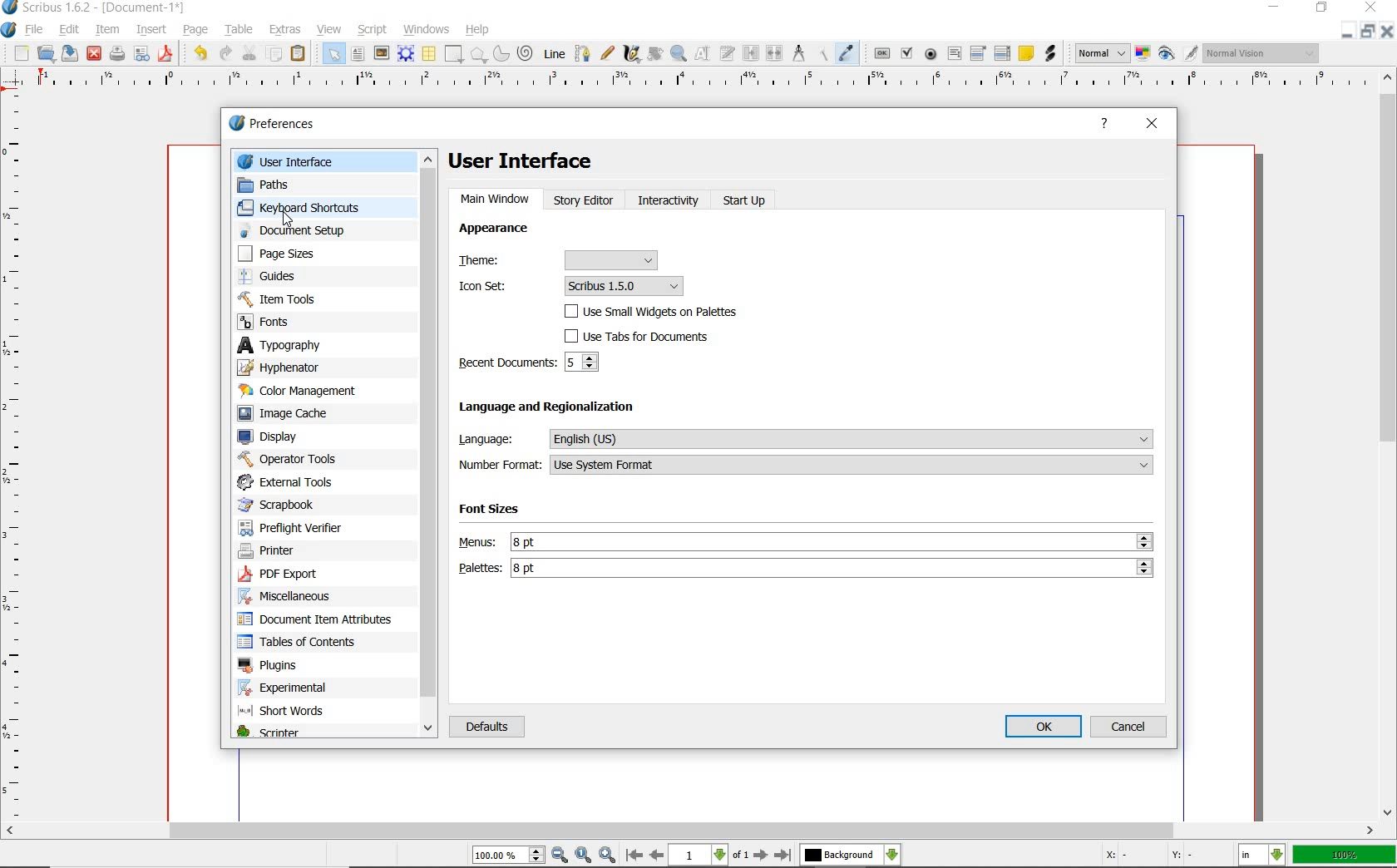 The image size is (1397, 868). I want to click on file, so click(38, 31).